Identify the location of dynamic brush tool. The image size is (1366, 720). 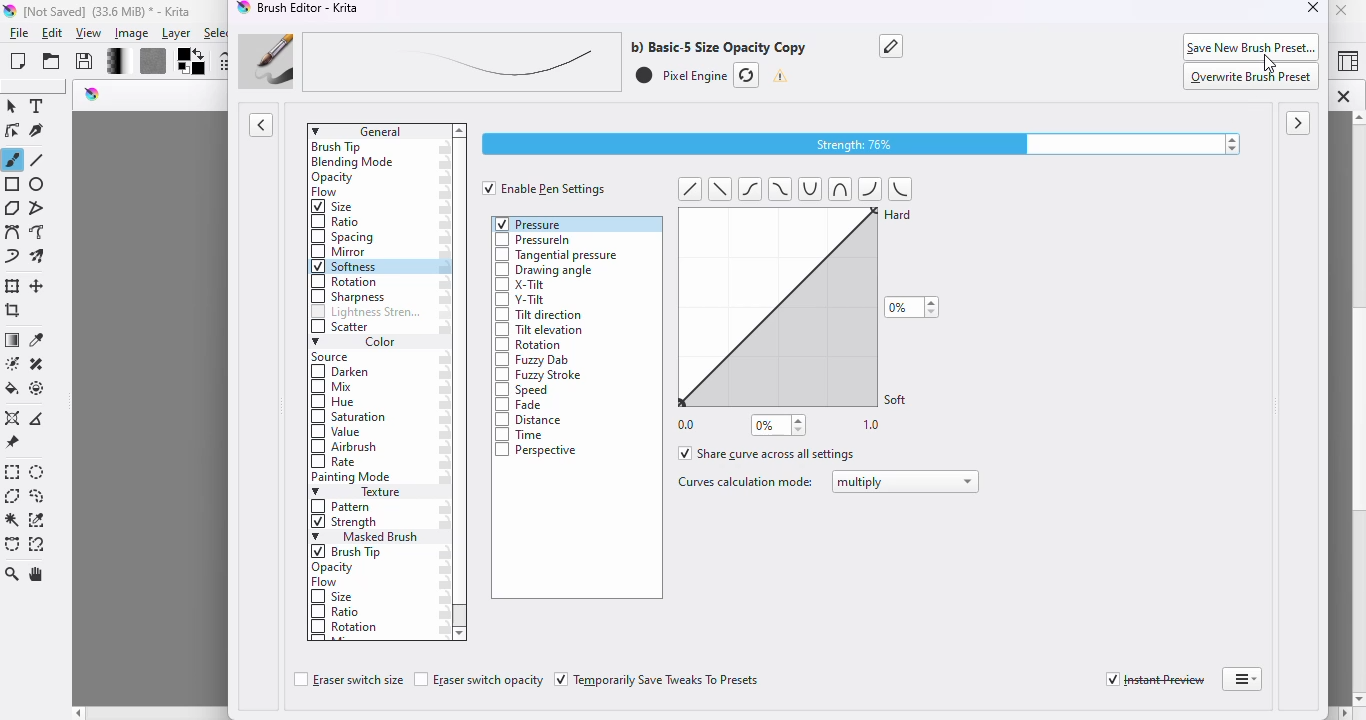
(12, 258).